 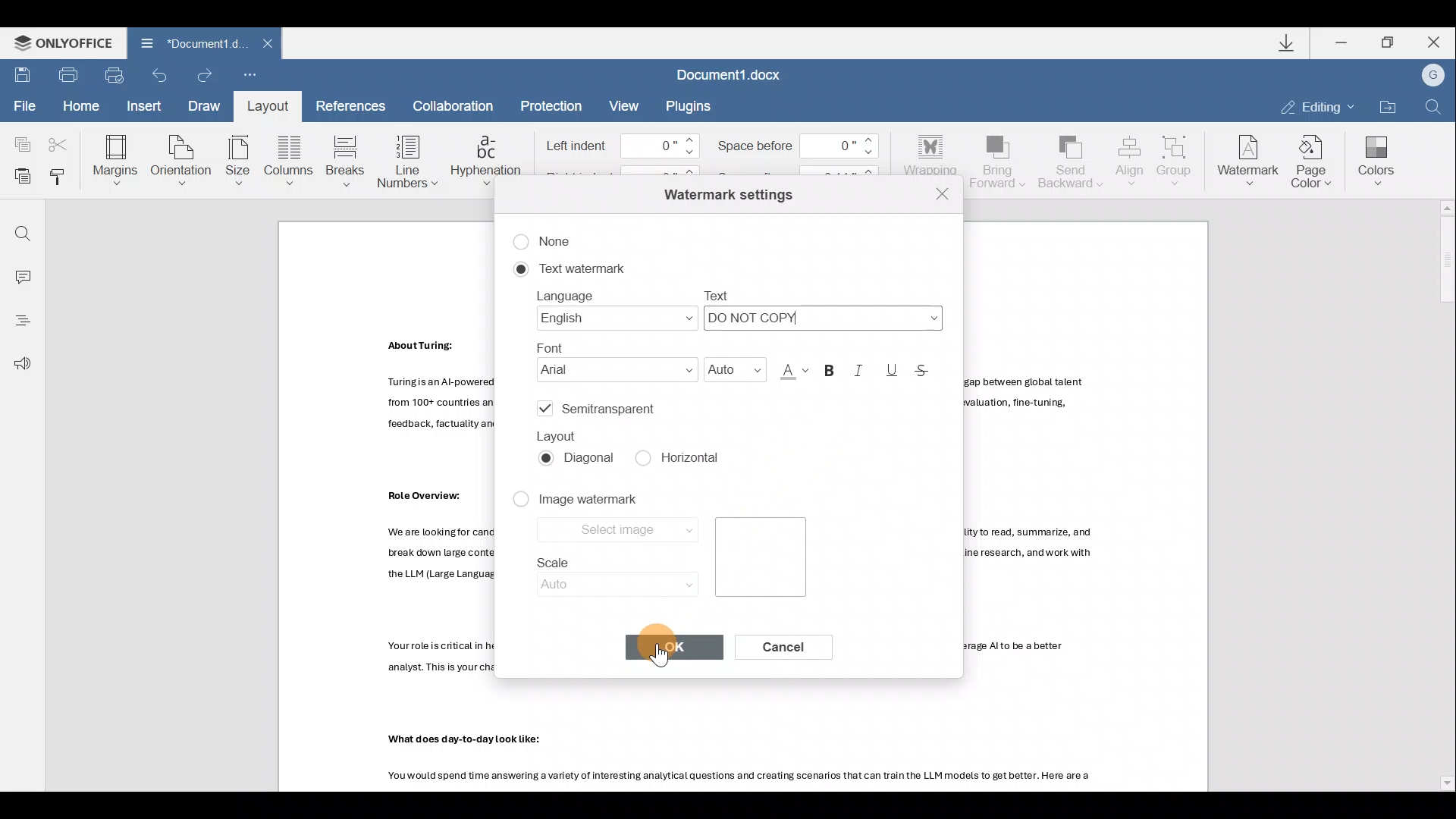 What do you see at coordinates (1375, 162) in the screenshot?
I see `Colors` at bounding box center [1375, 162].